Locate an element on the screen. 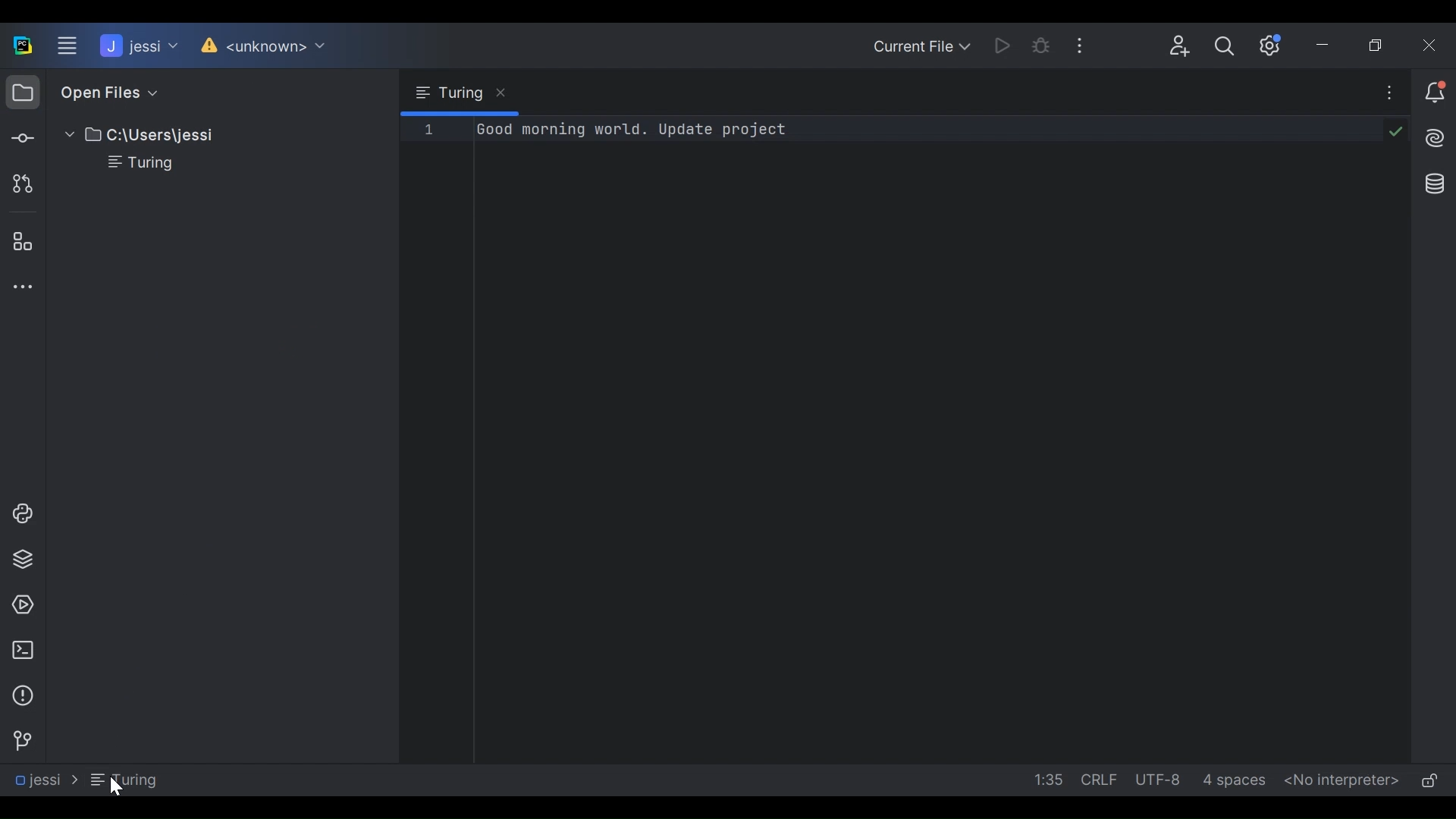 The height and width of the screenshot is (819, 1456). Cursor is located at coordinates (114, 787).